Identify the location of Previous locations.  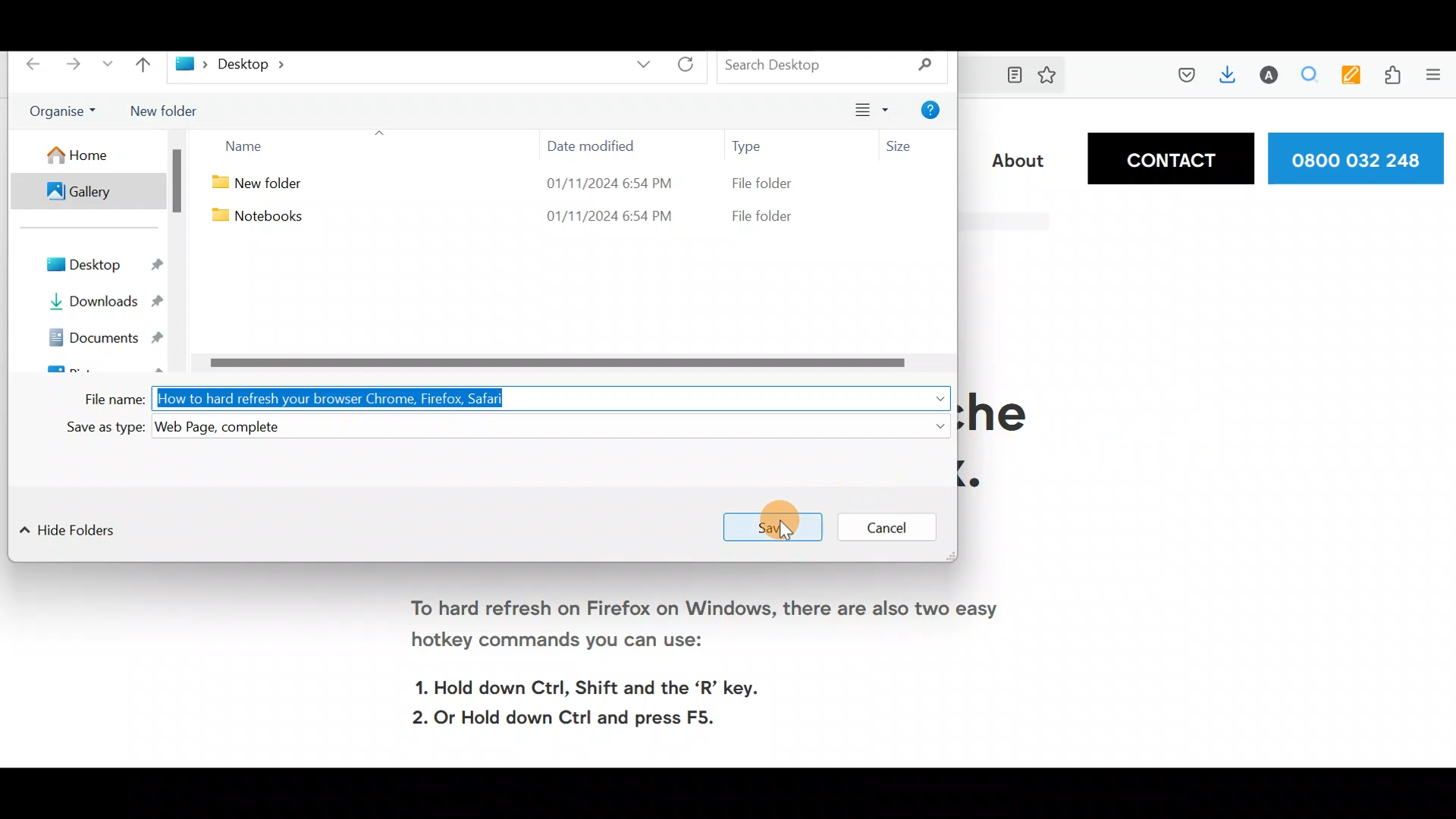
(634, 64).